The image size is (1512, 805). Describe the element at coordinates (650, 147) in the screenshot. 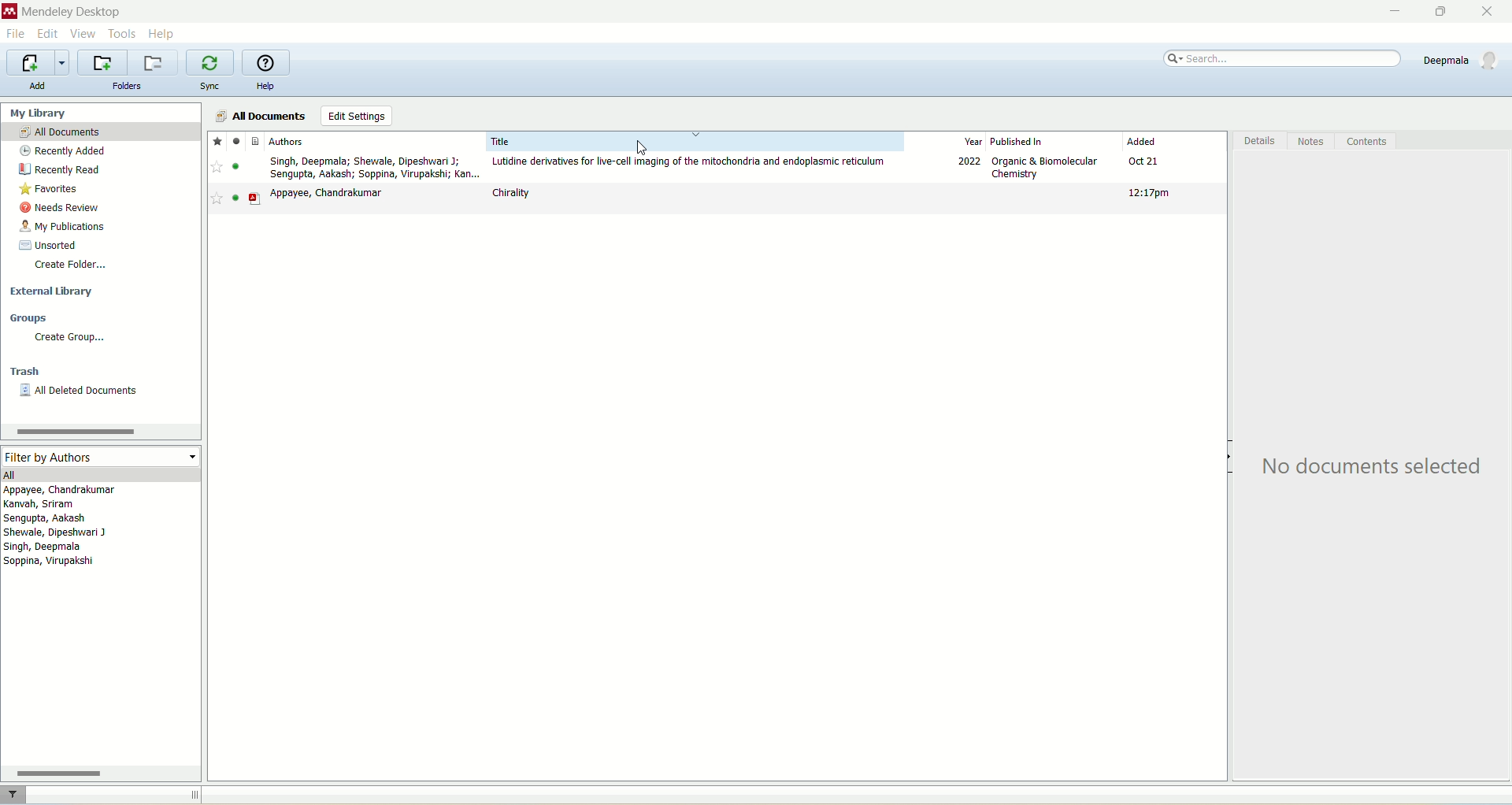

I see `cursor` at that location.